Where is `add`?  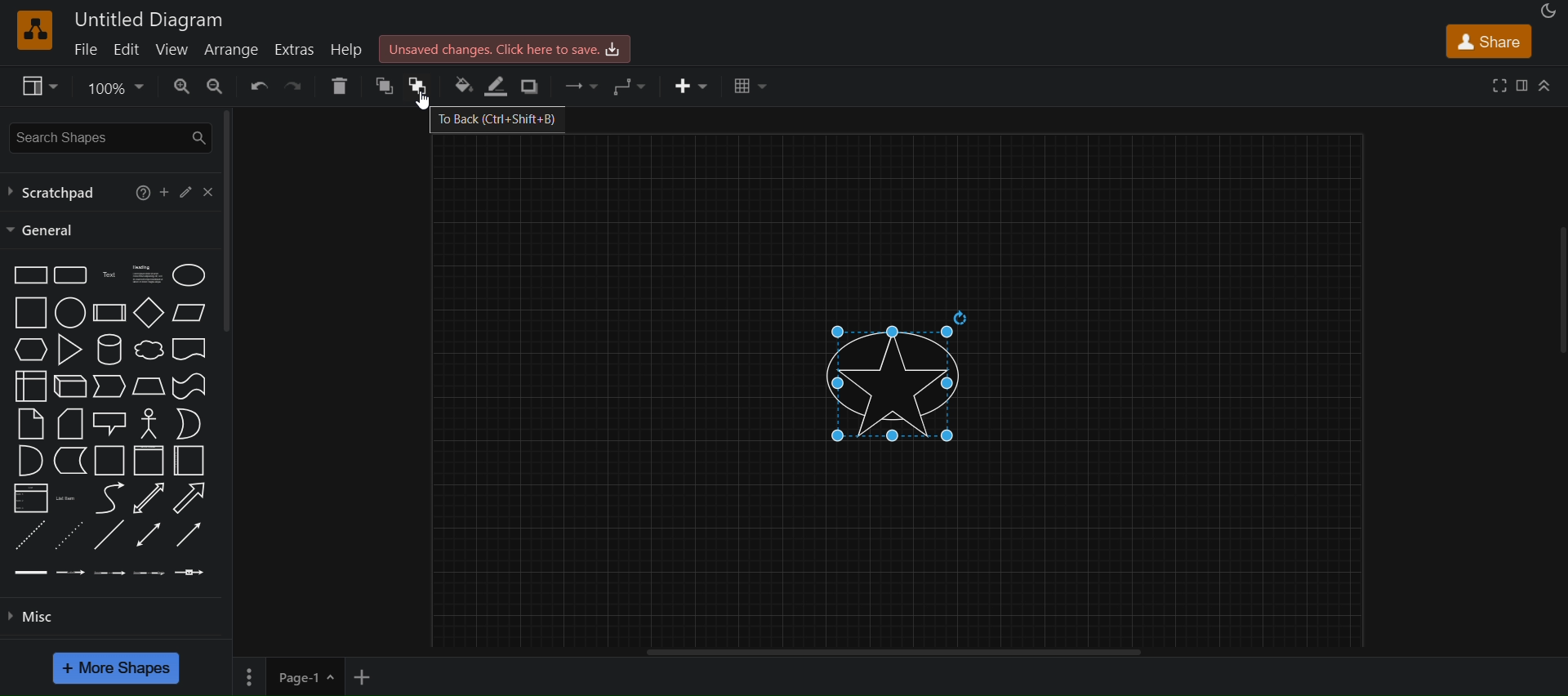
add is located at coordinates (165, 191).